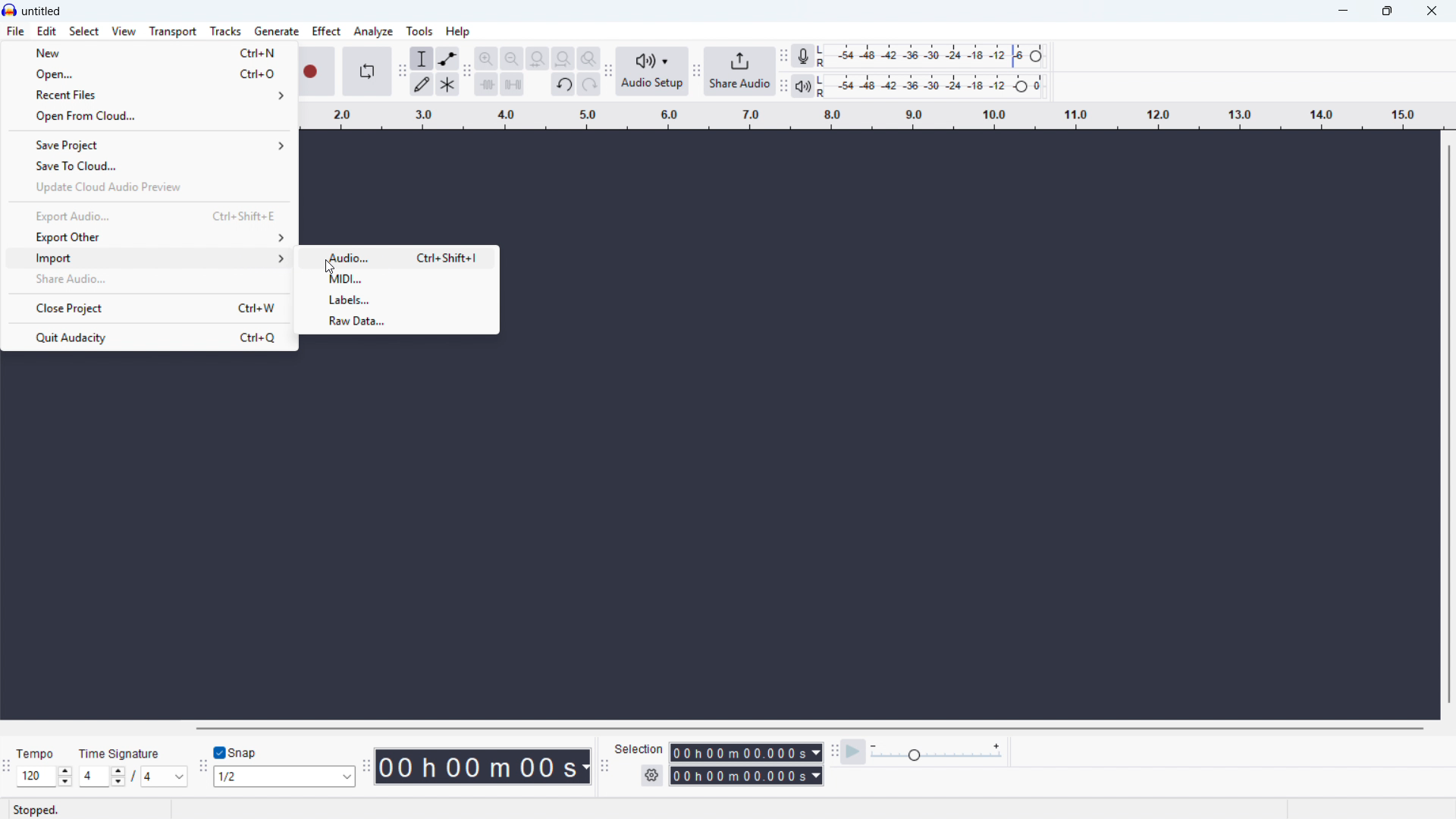  I want to click on Import , so click(148, 258).